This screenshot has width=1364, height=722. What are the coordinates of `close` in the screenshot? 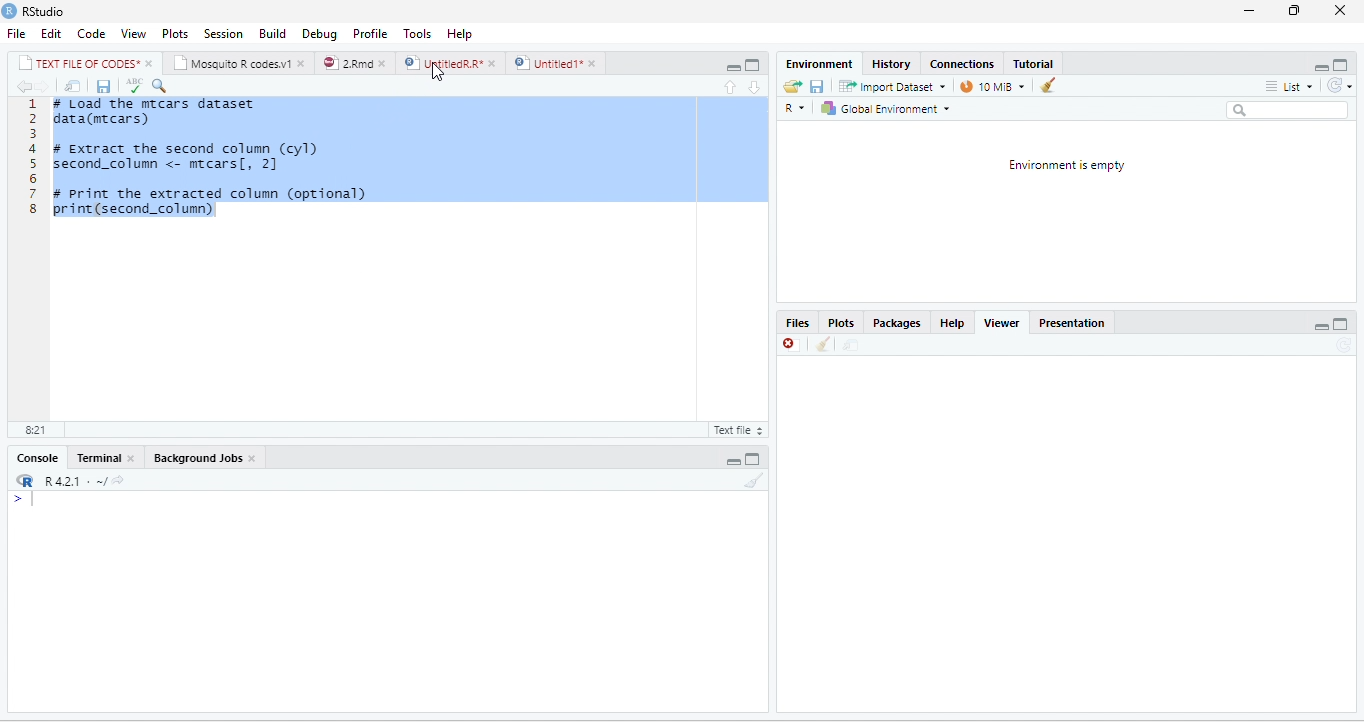 It's located at (304, 63).